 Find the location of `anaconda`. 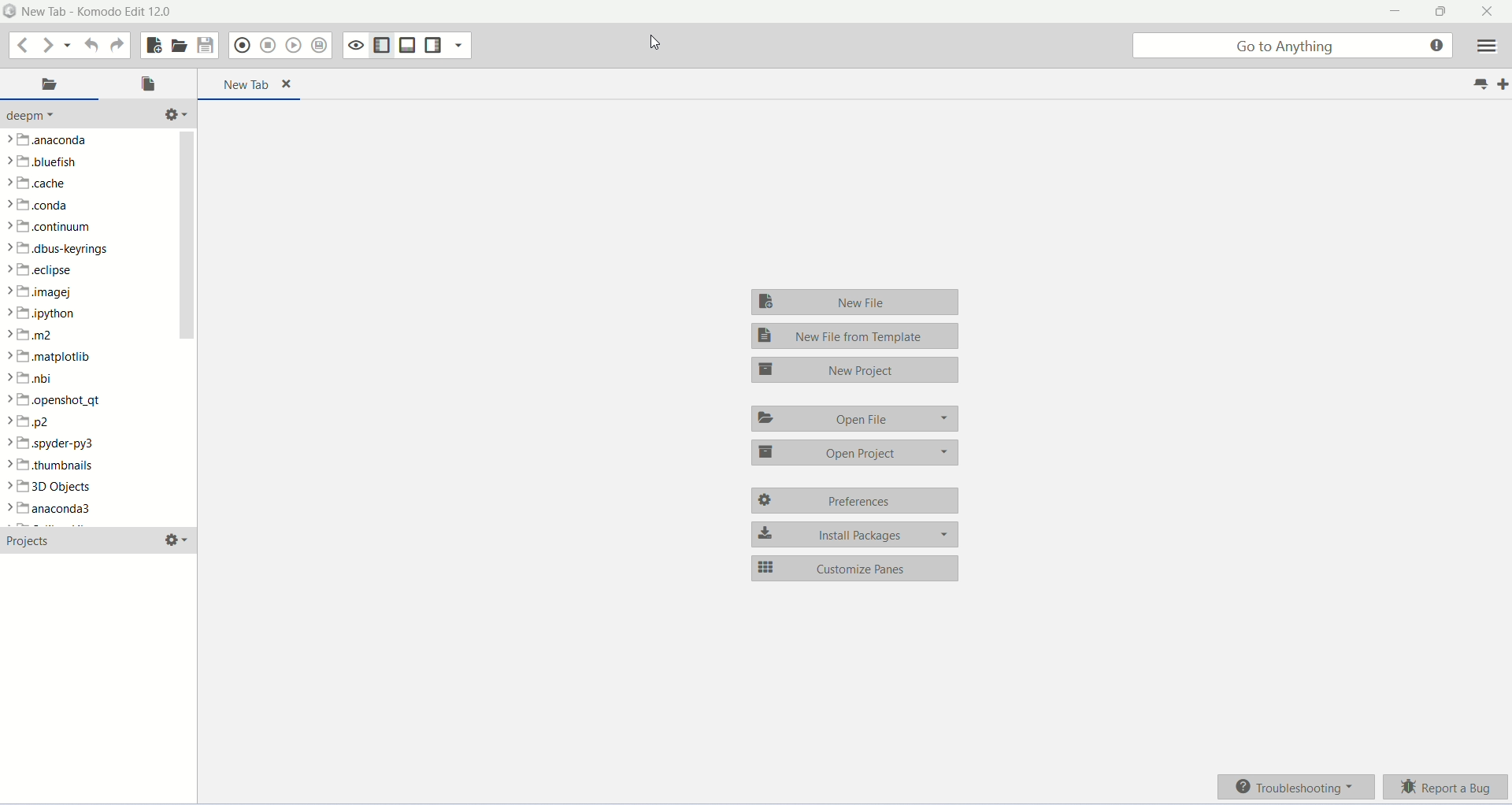

anaconda is located at coordinates (53, 510).